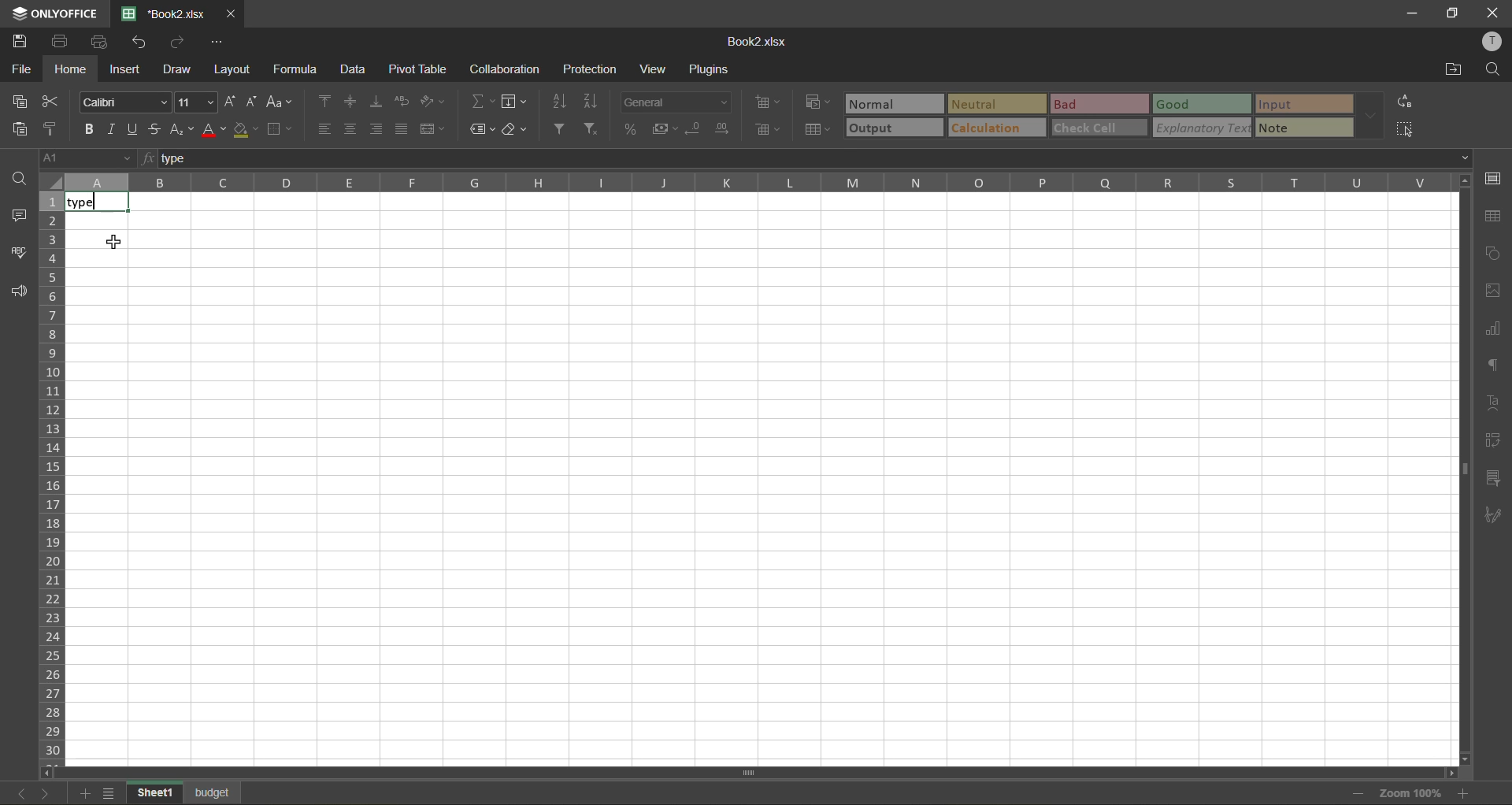 This screenshot has width=1512, height=805. I want to click on wrap text, so click(401, 101).